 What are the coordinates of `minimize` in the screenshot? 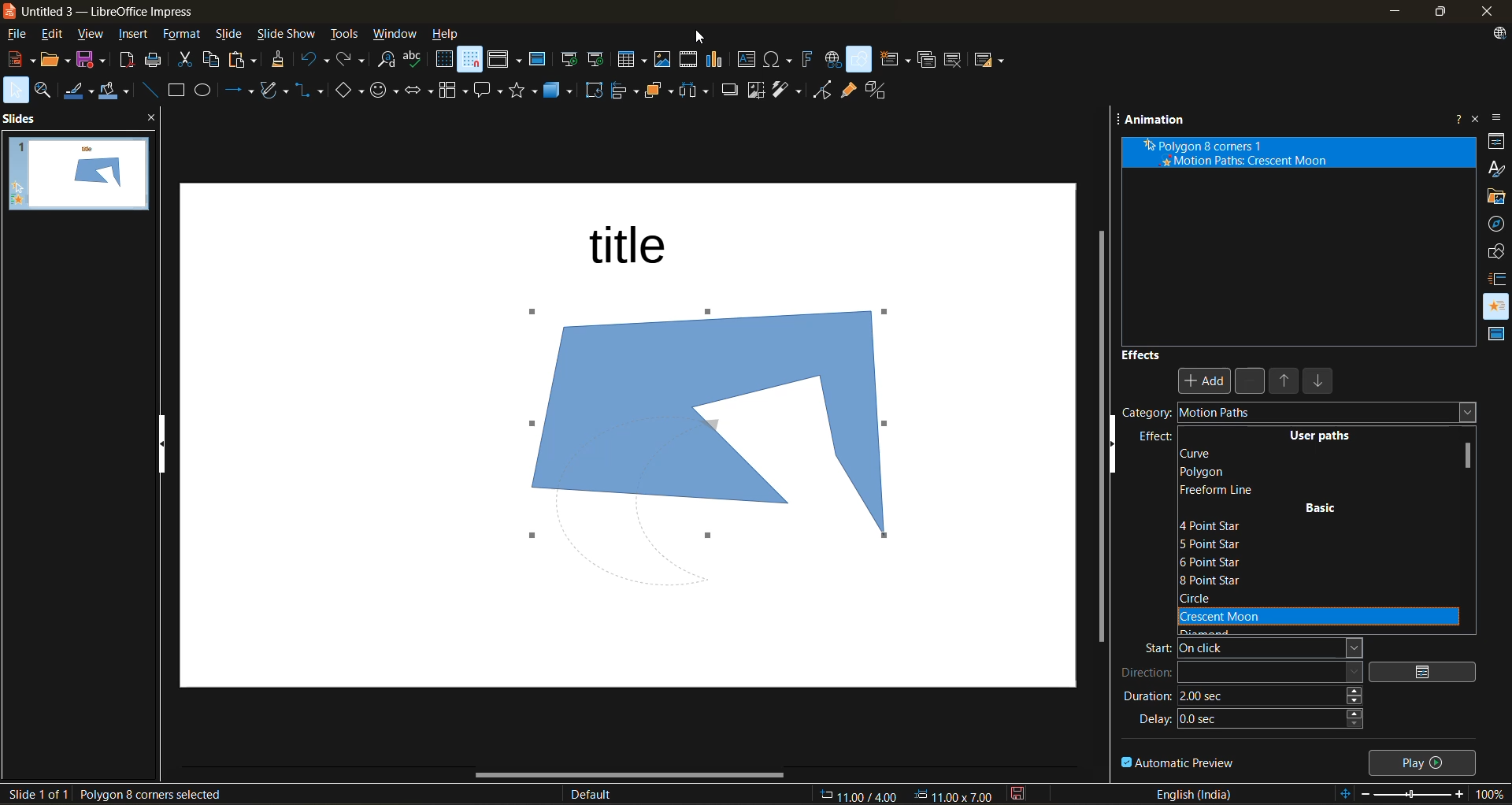 It's located at (1392, 13).